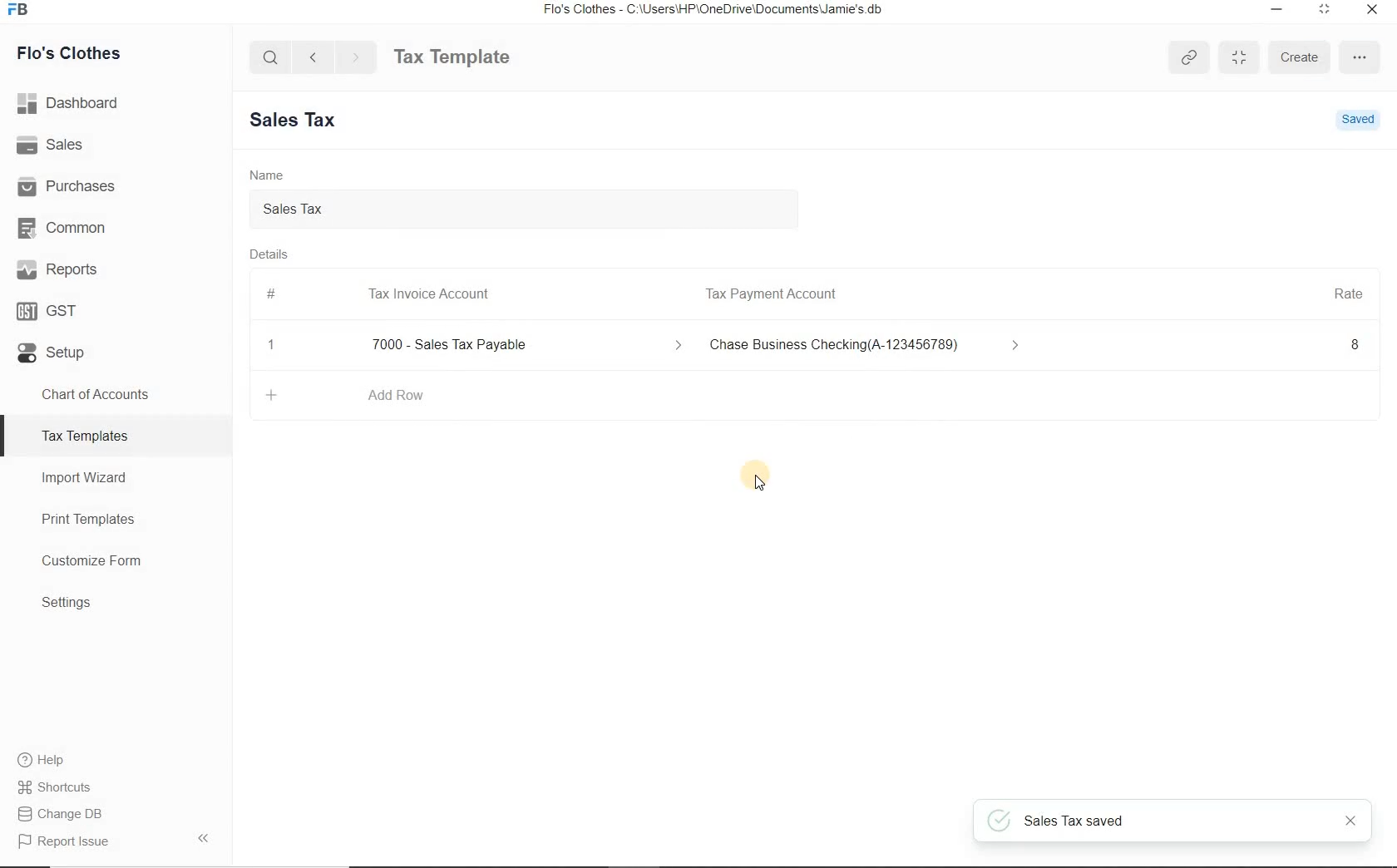 Image resolution: width=1397 pixels, height=868 pixels. I want to click on Hyperlink, so click(1192, 57).